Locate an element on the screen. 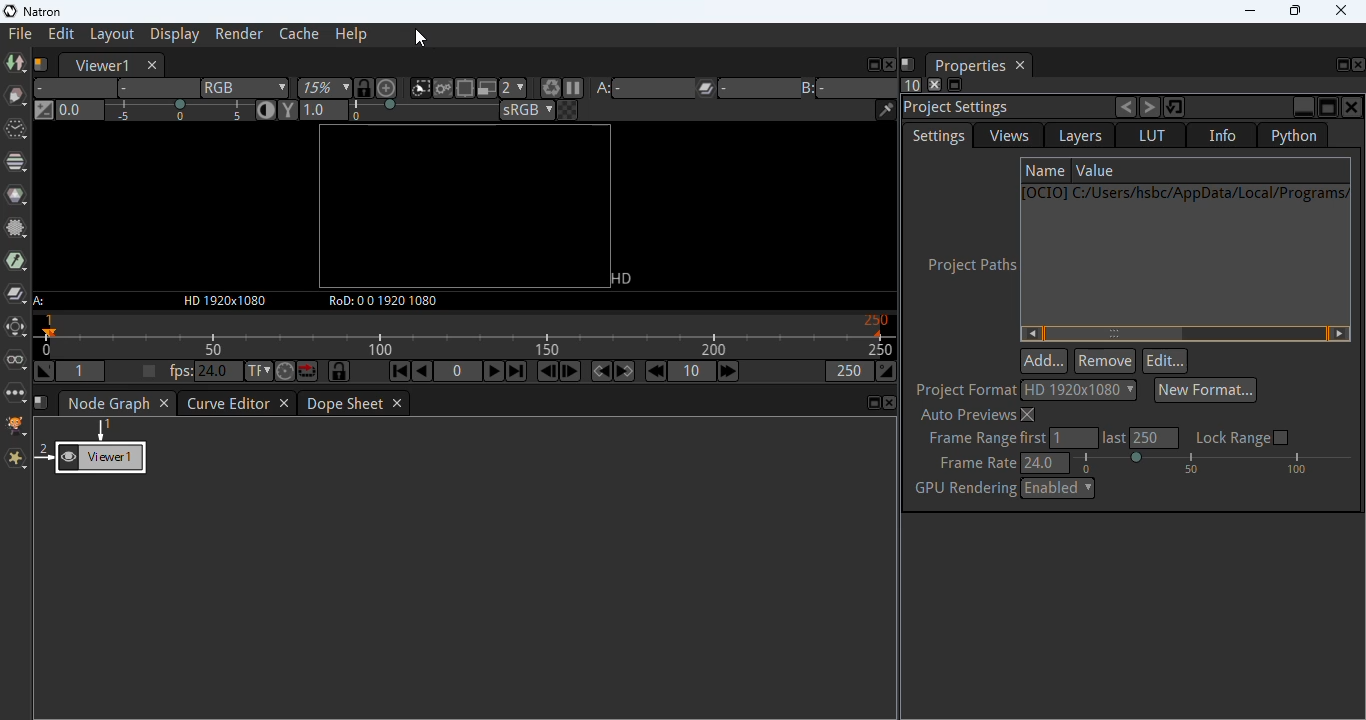  close tab is located at coordinates (166, 402).